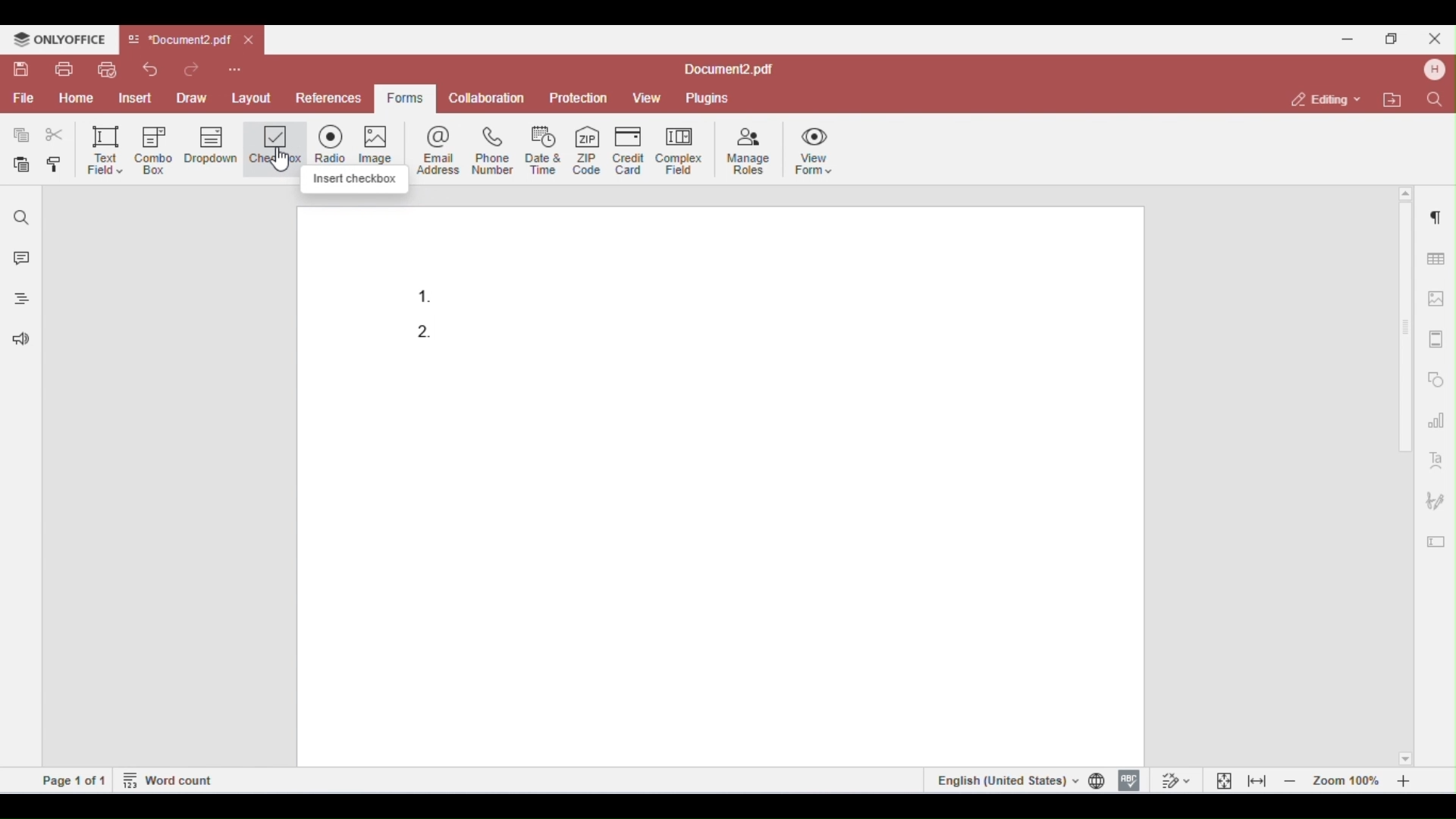 The height and width of the screenshot is (819, 1456). I want to click on collaboration, so click(487, 97).